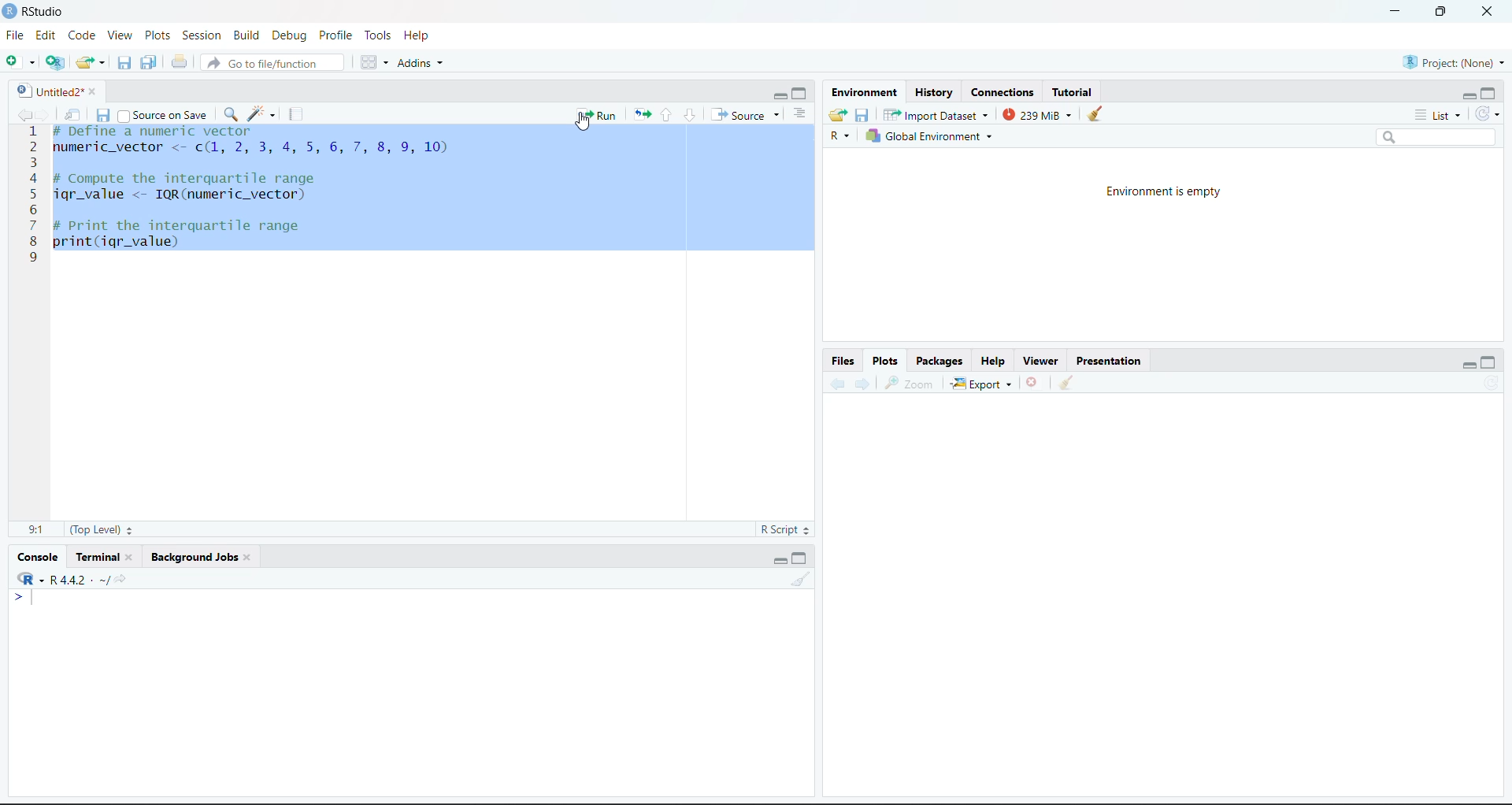  What do you see at coordinates (1492, 117) in the screenshot?
I see `Refresh the list of objects in the environment` at bounding box center [1492, 117].